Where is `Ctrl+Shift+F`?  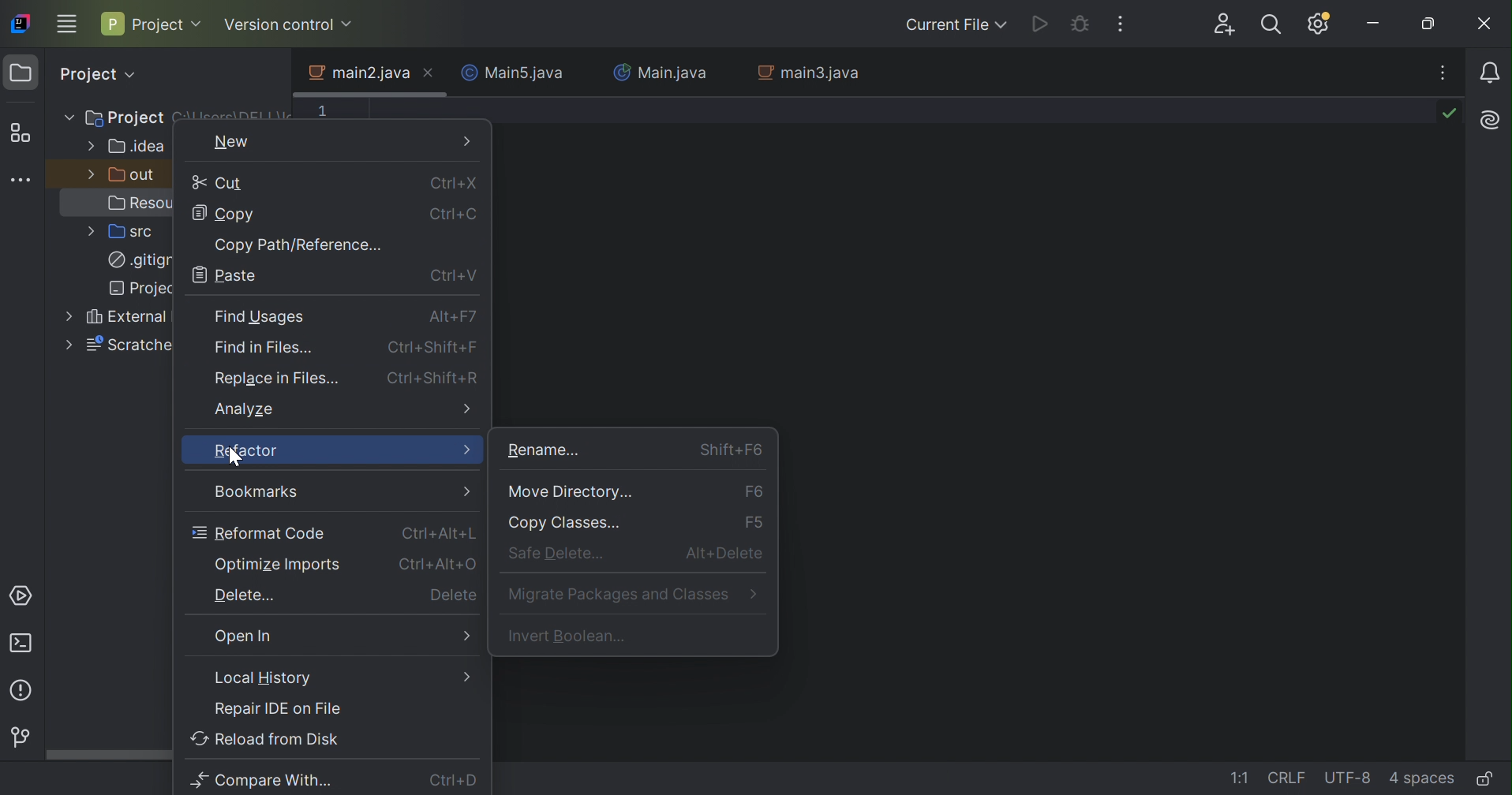
Ctrl+Shift+F is located at coordinates (434, 347).